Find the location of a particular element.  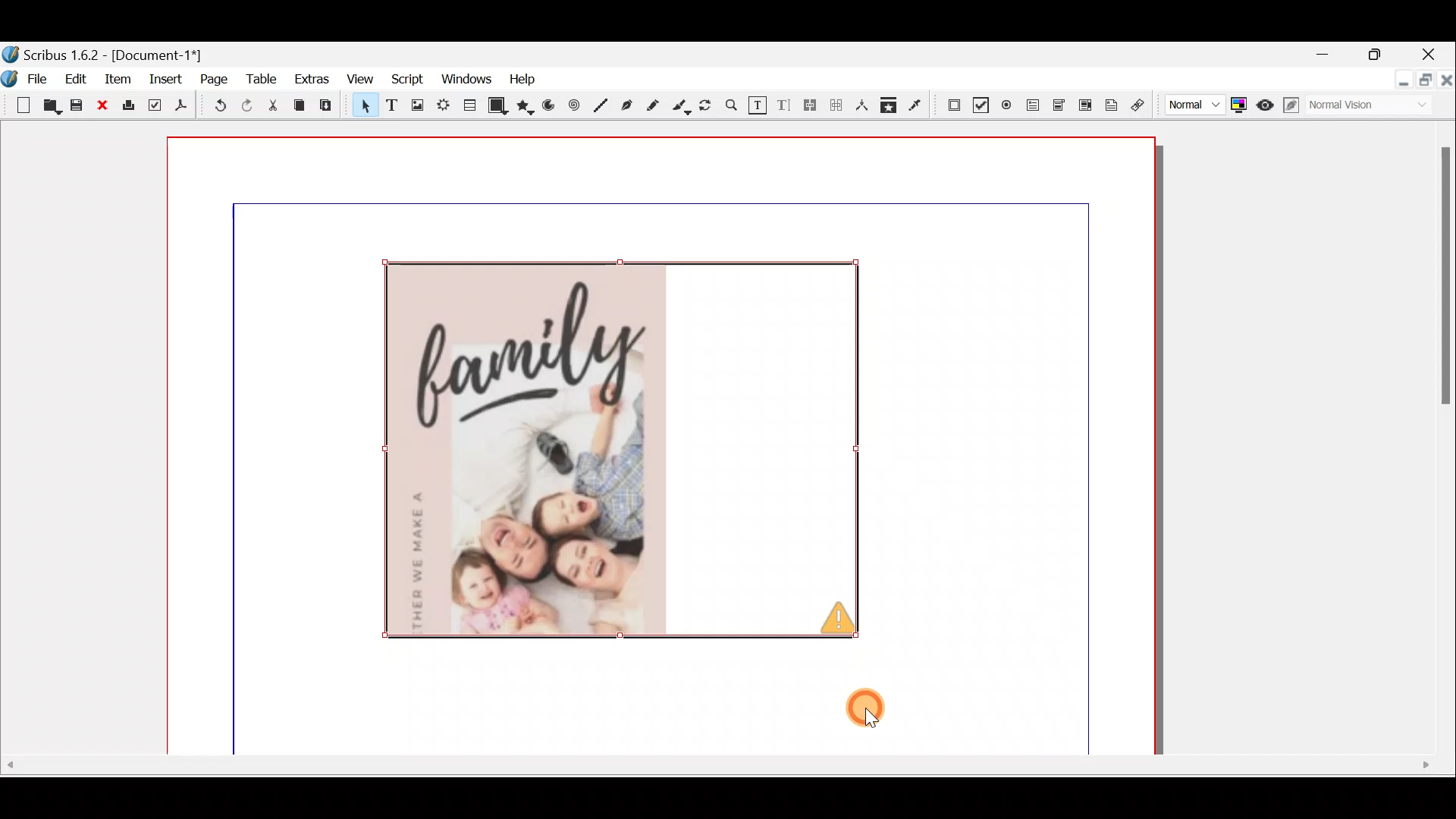

Shape is located at coordinates (498, 105).